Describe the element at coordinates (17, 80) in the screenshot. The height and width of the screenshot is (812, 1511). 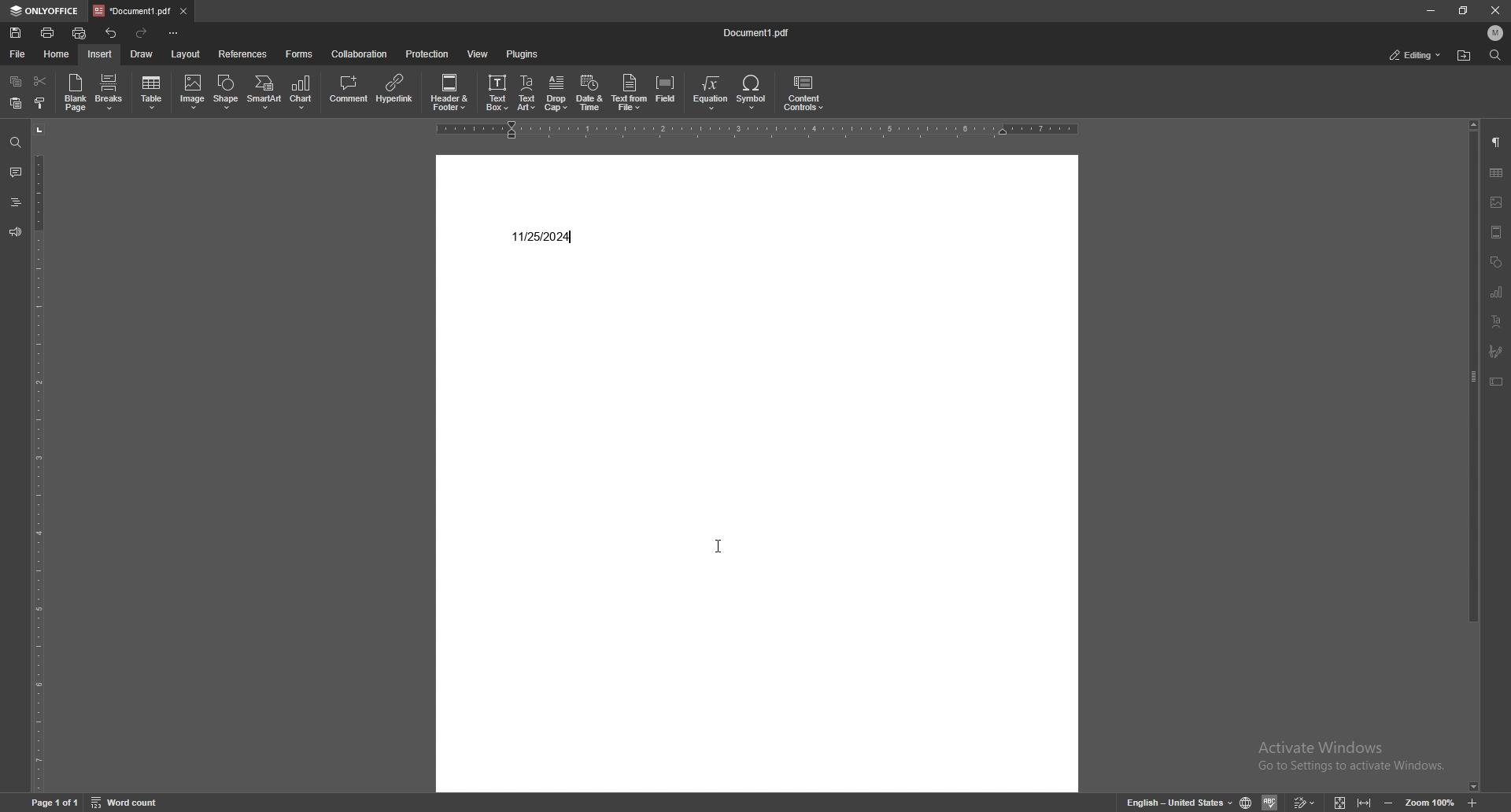
I see `copy` at that location.